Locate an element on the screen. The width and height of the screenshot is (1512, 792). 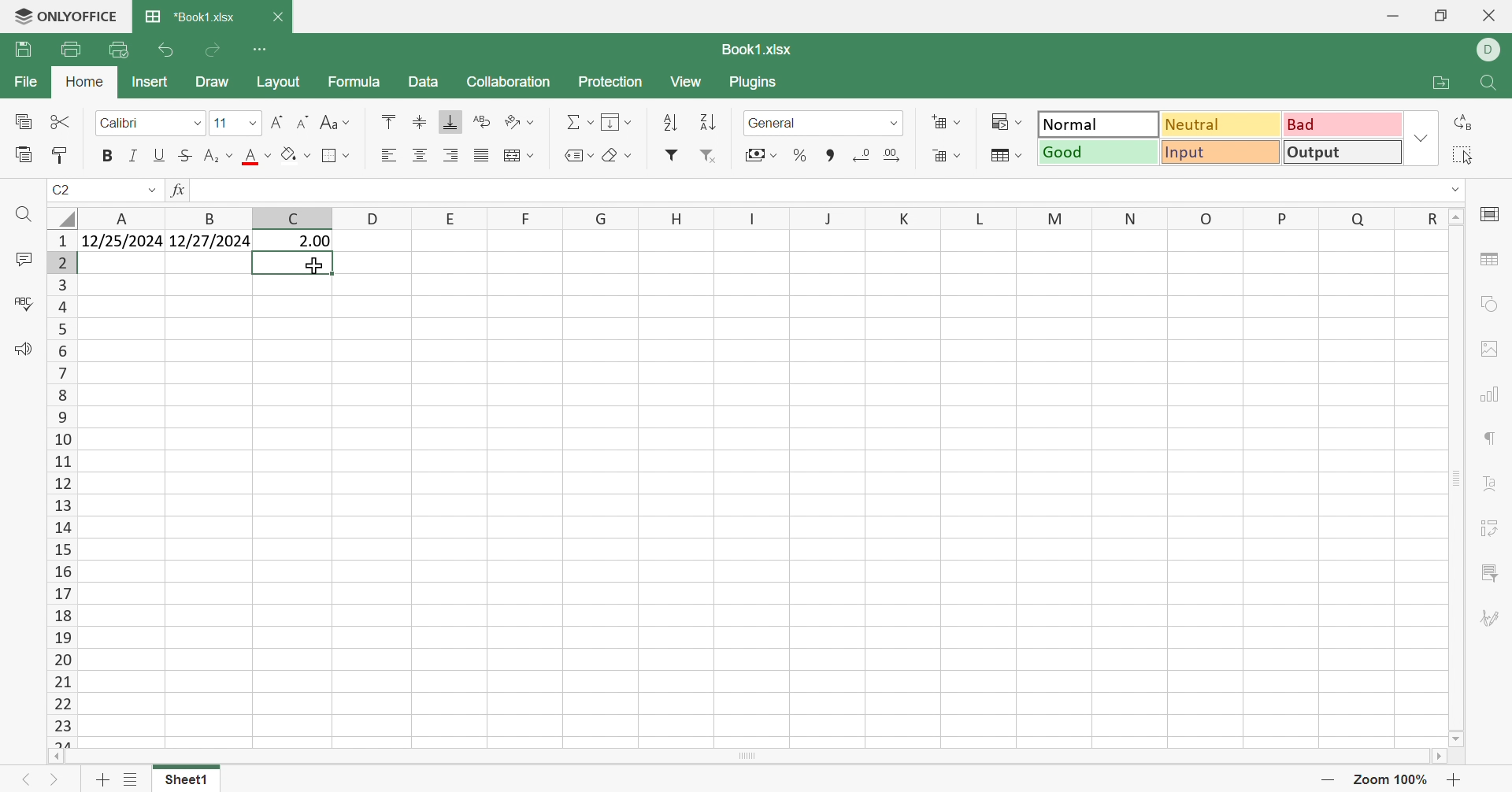
Shape settings is located at coordinates (1490, 306).